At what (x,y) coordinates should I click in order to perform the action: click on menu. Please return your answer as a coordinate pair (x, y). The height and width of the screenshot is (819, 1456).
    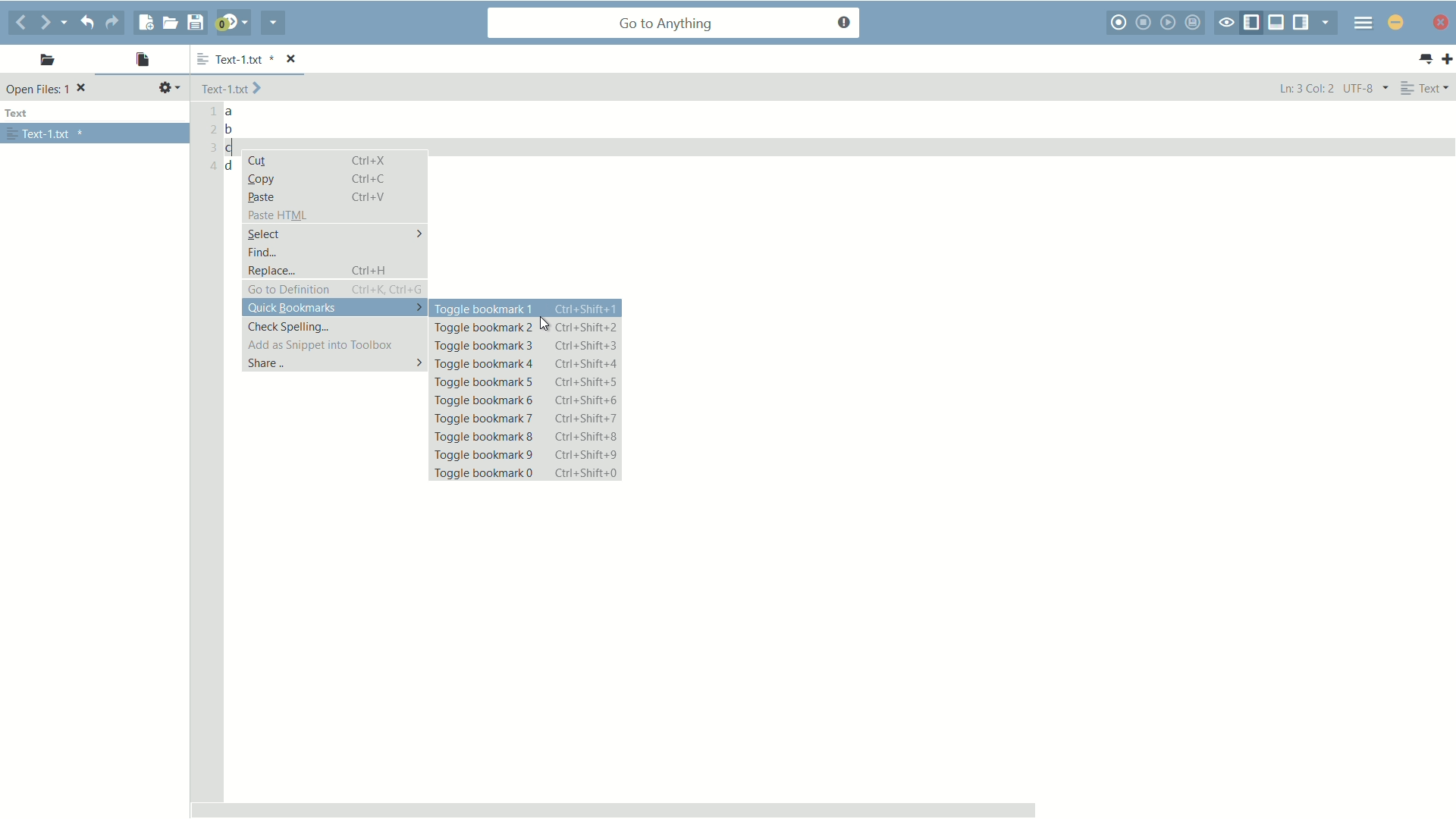
    Looking at the image, I should click on (1361, 24).